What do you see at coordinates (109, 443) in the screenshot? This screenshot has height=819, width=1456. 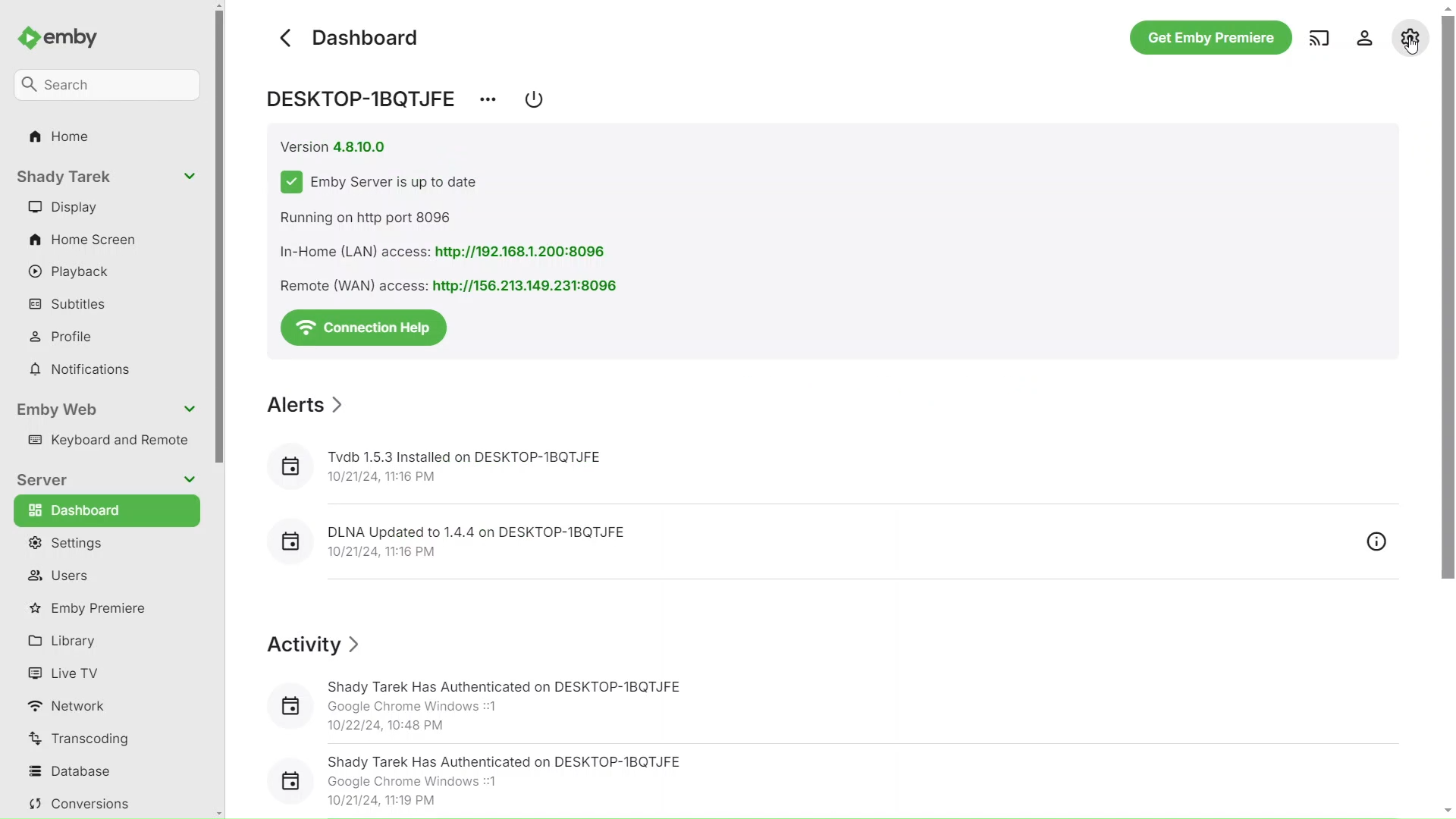 I see `Keyboard and Remote` at bounding box center [109, 443].